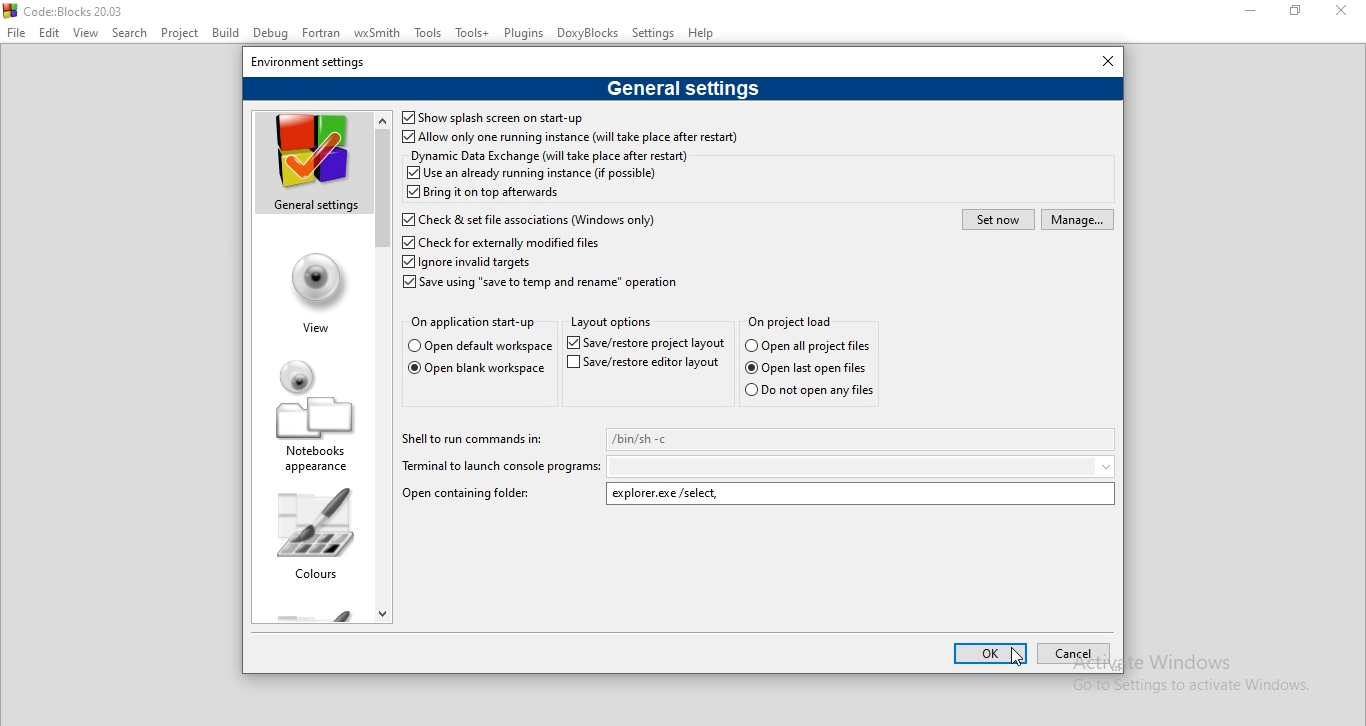 The height and width of the screenshot is (726, 1366). What do you see at coordinates (315, 61) in the screenshot?
I see `environment` at bounding box center [315, 61].